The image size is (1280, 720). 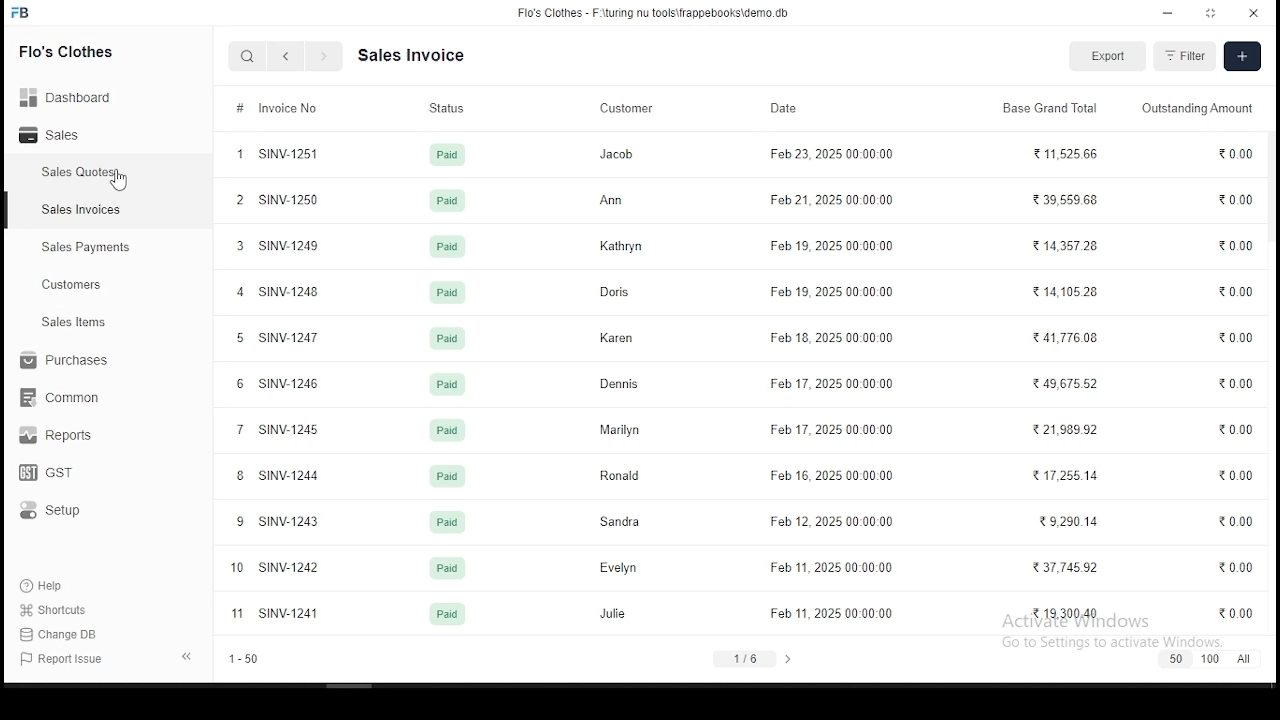 What do you see at coordinates (274, 110) in the screenshot?
I see `invoice flow` at bounding box center [274, 110].